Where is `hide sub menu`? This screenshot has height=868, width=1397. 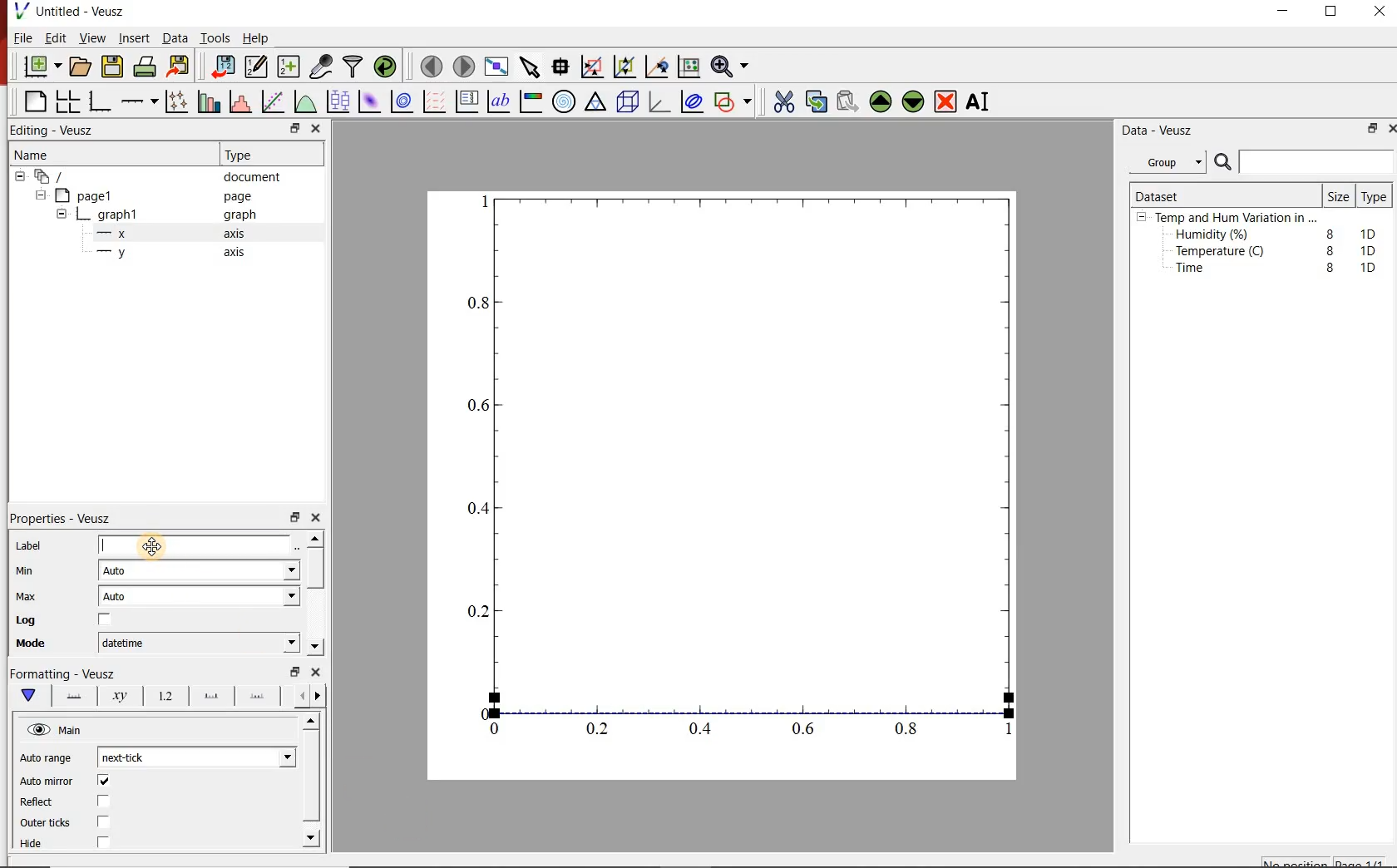
hide sub menu is located at coordinates (62, 213).